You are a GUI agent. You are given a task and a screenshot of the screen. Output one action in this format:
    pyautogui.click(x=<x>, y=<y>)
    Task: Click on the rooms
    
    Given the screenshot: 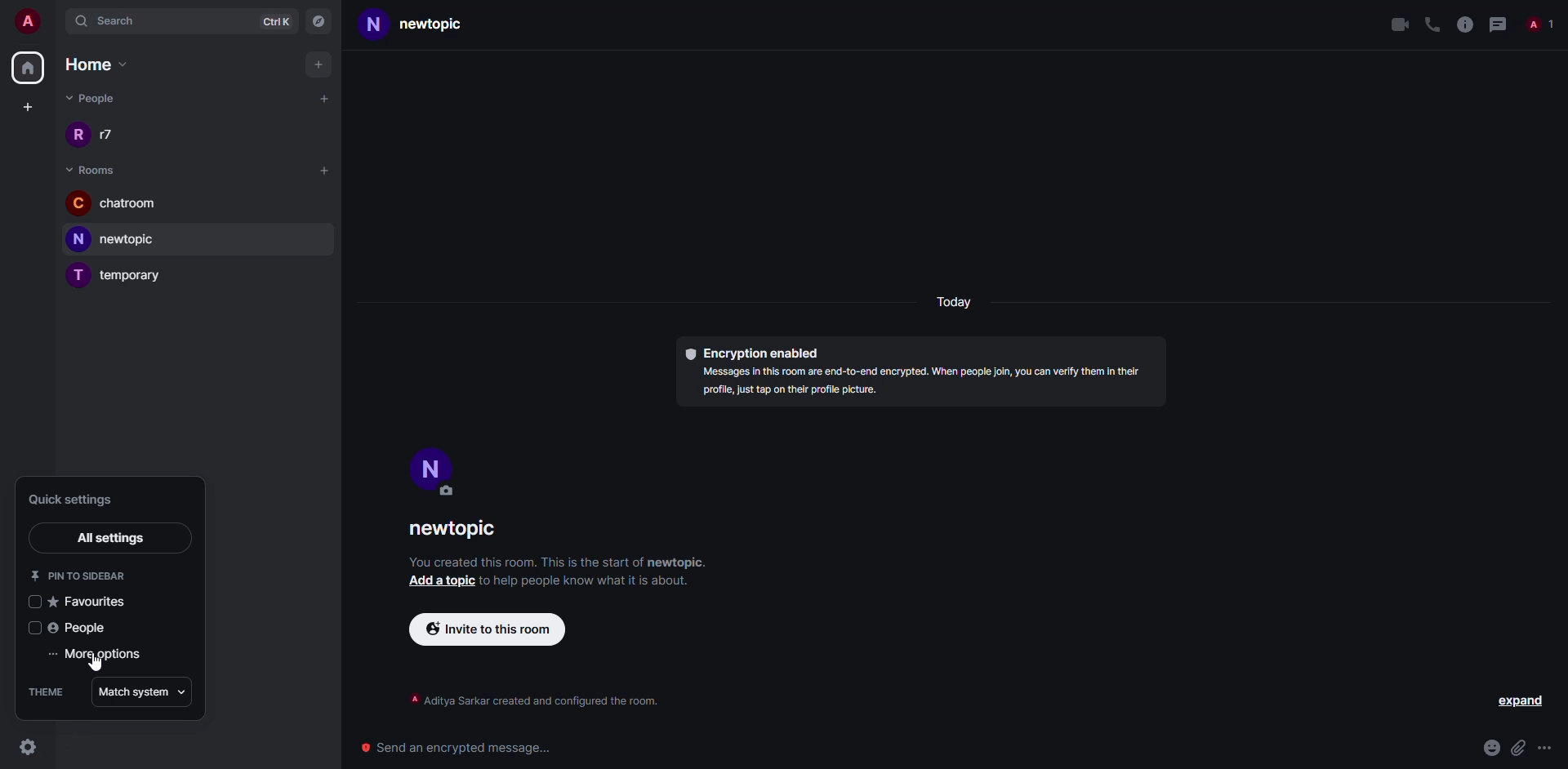 What is the action you would take?
    pyautogui.click(x=104, y=171)
    